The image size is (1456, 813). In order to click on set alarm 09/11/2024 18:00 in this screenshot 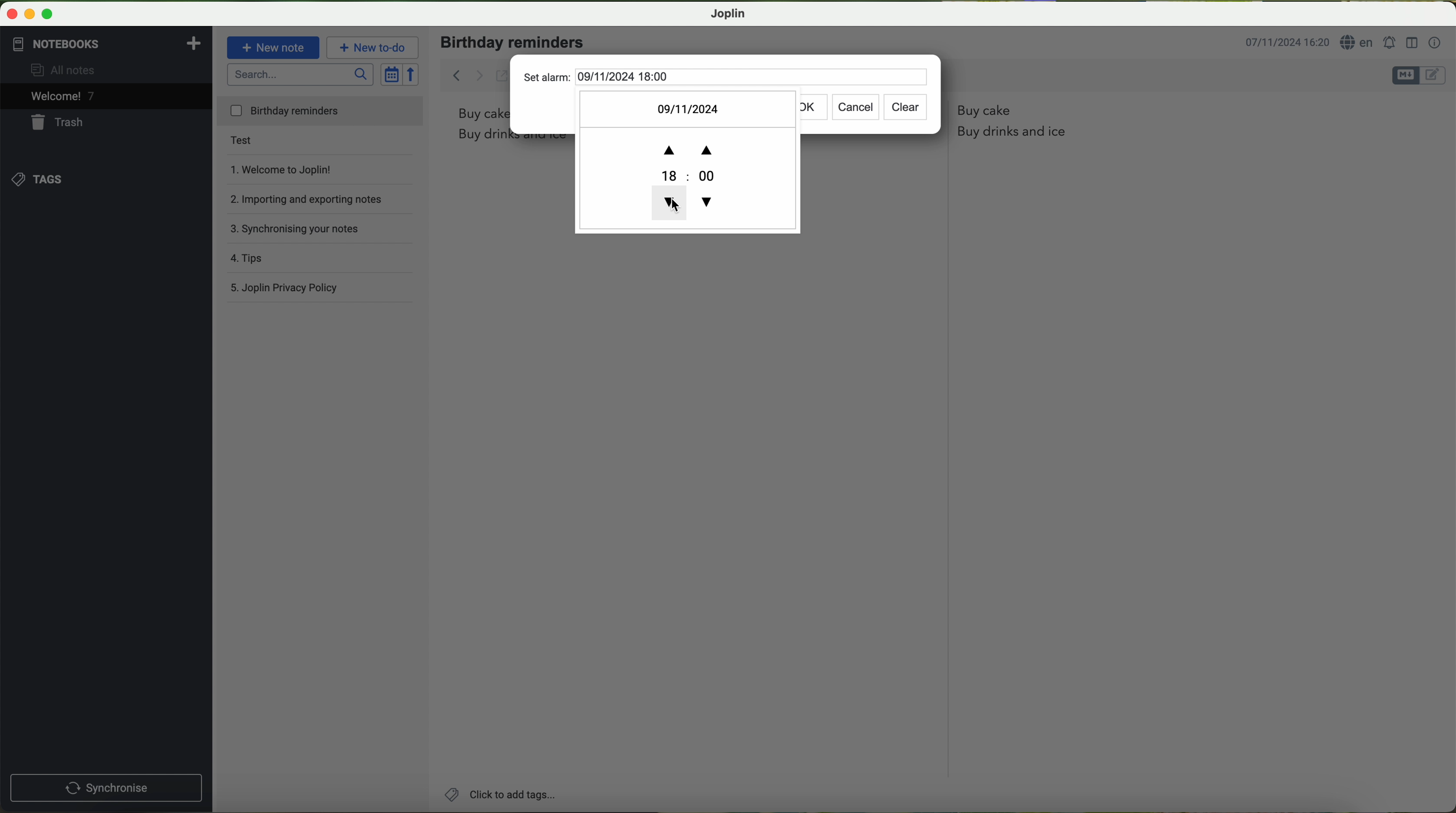, I will do `click(634, 77)`.